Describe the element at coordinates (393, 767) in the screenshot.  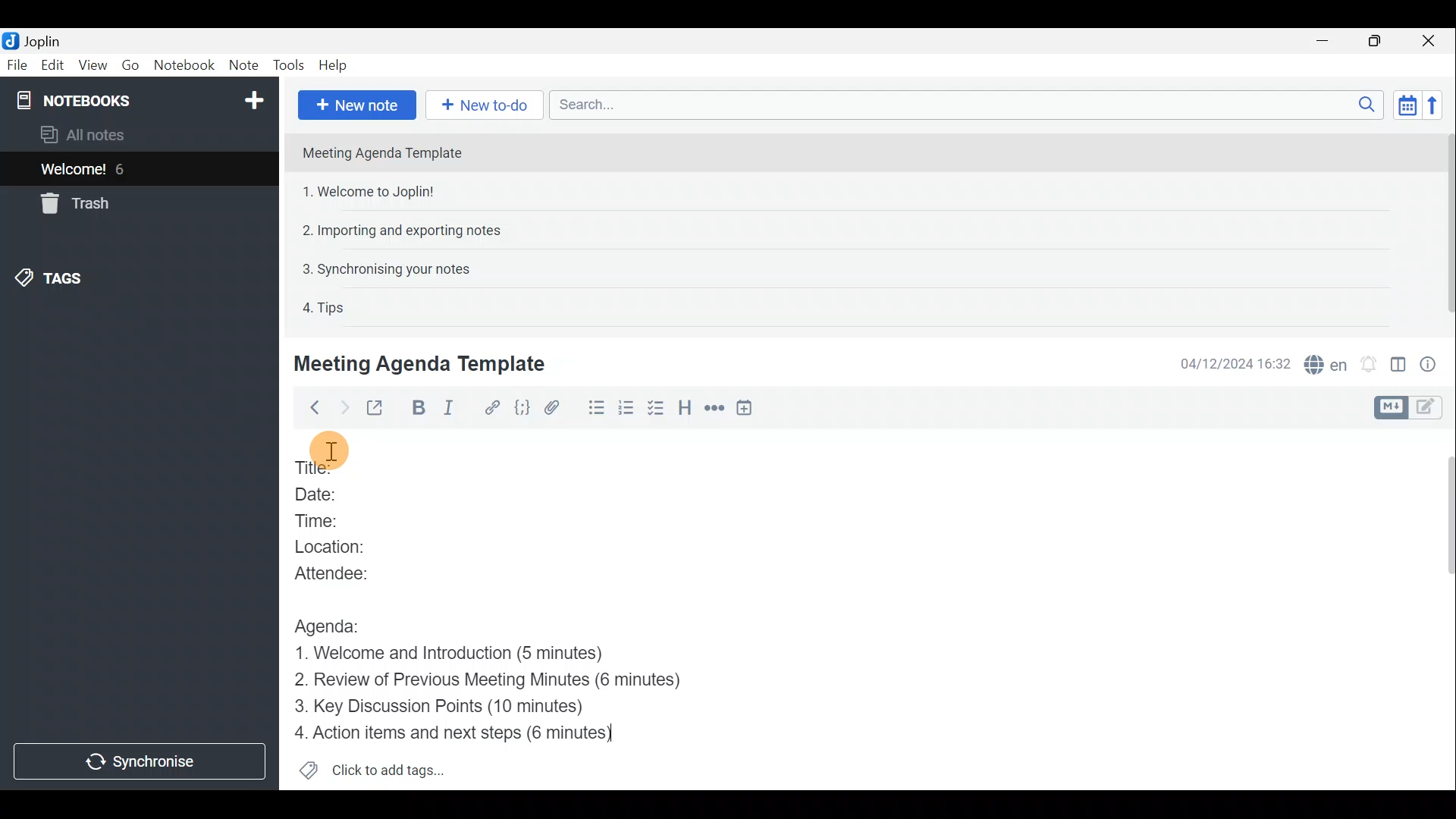
I see `Click to add tags` at that location.